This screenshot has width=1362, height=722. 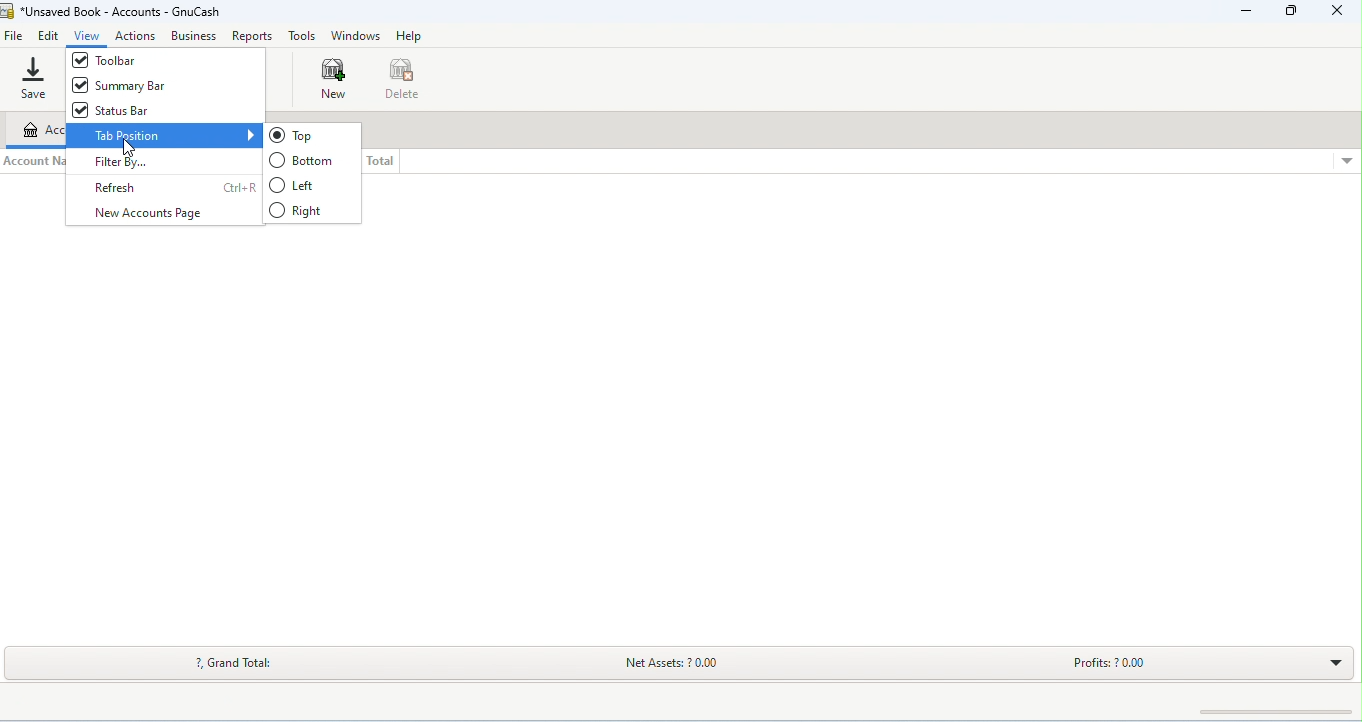 I want to click on tab position, so click(x=163, y=135).